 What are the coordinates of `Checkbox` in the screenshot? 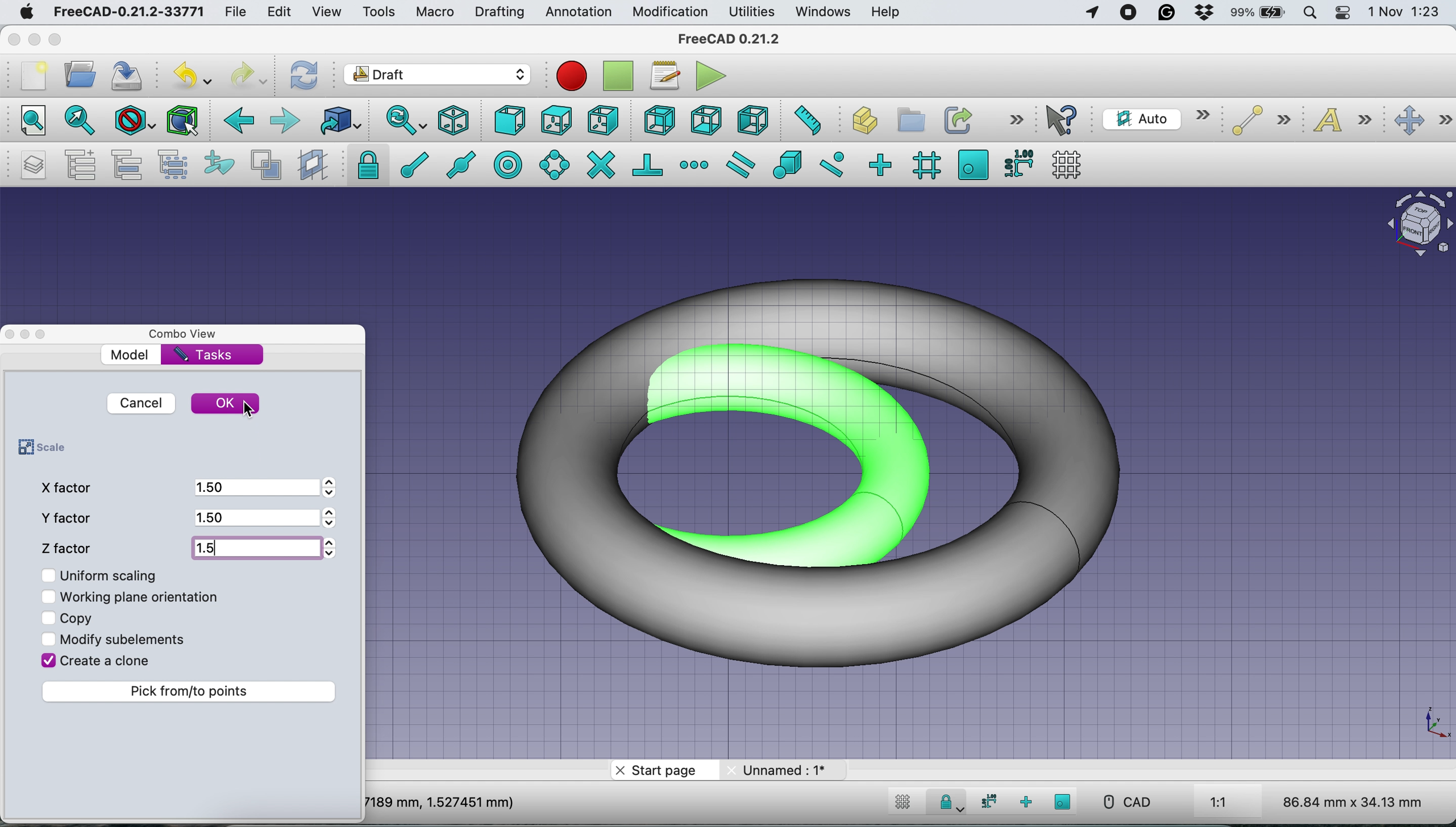 It's located at (49, 617).